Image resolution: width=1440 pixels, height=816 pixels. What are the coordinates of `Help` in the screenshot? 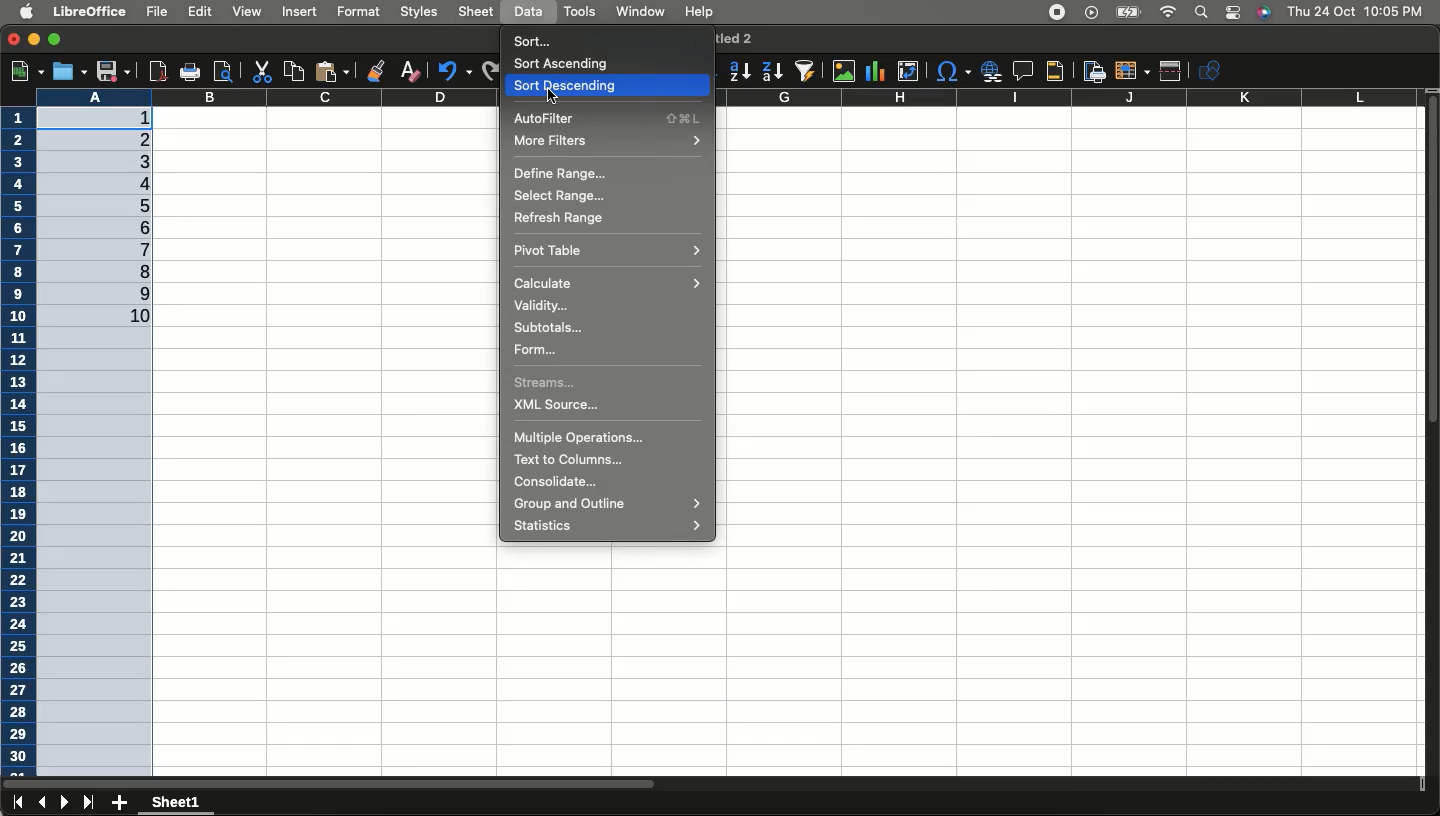 It's located at (700, 13).